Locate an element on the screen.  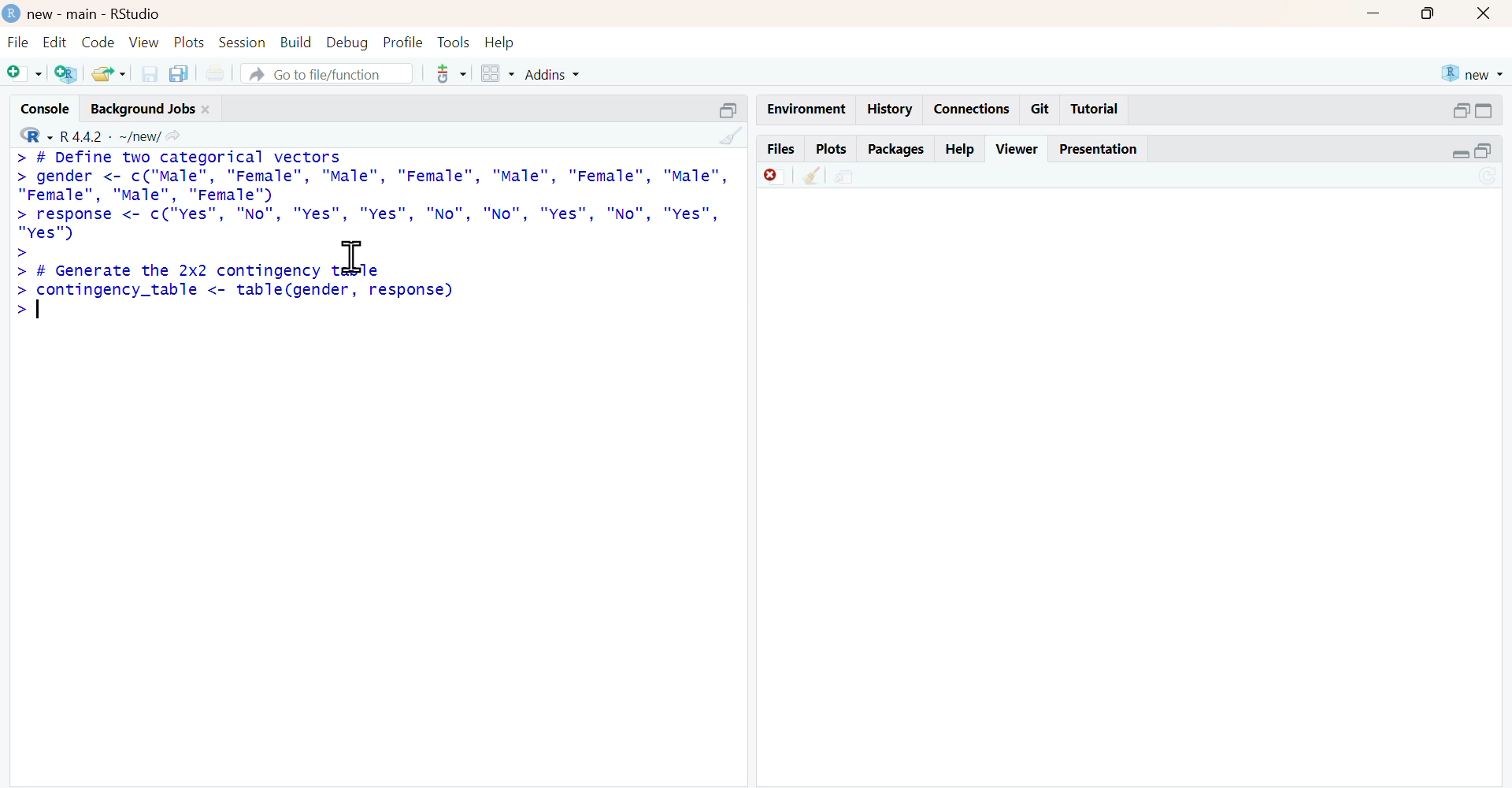
expand/collapse is located at coordinates (1460, 154).